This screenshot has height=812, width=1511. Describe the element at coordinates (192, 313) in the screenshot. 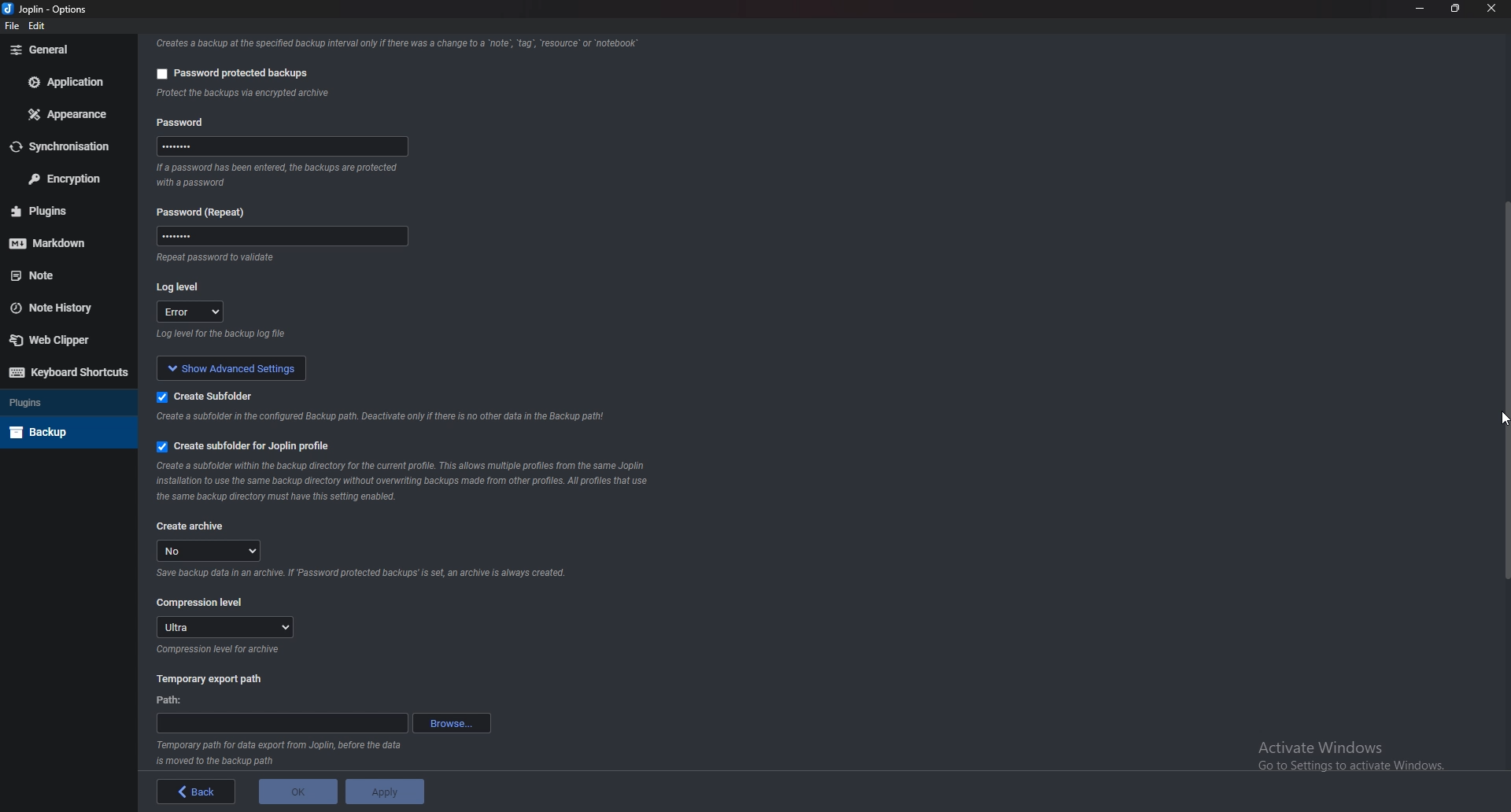

I see `error` at that location.